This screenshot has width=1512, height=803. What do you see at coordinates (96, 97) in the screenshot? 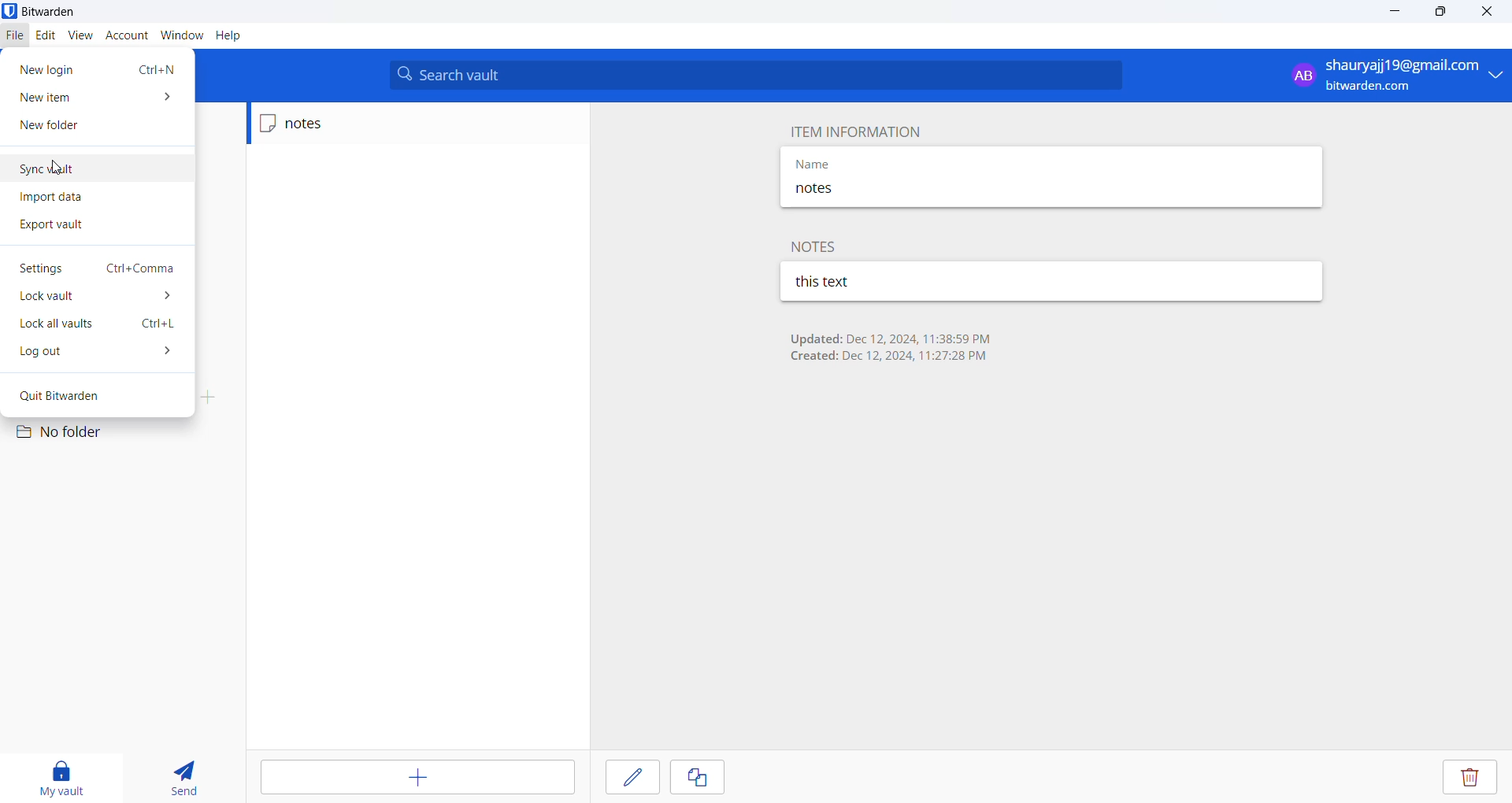
I see `new item` at bounding box center [96, 97].